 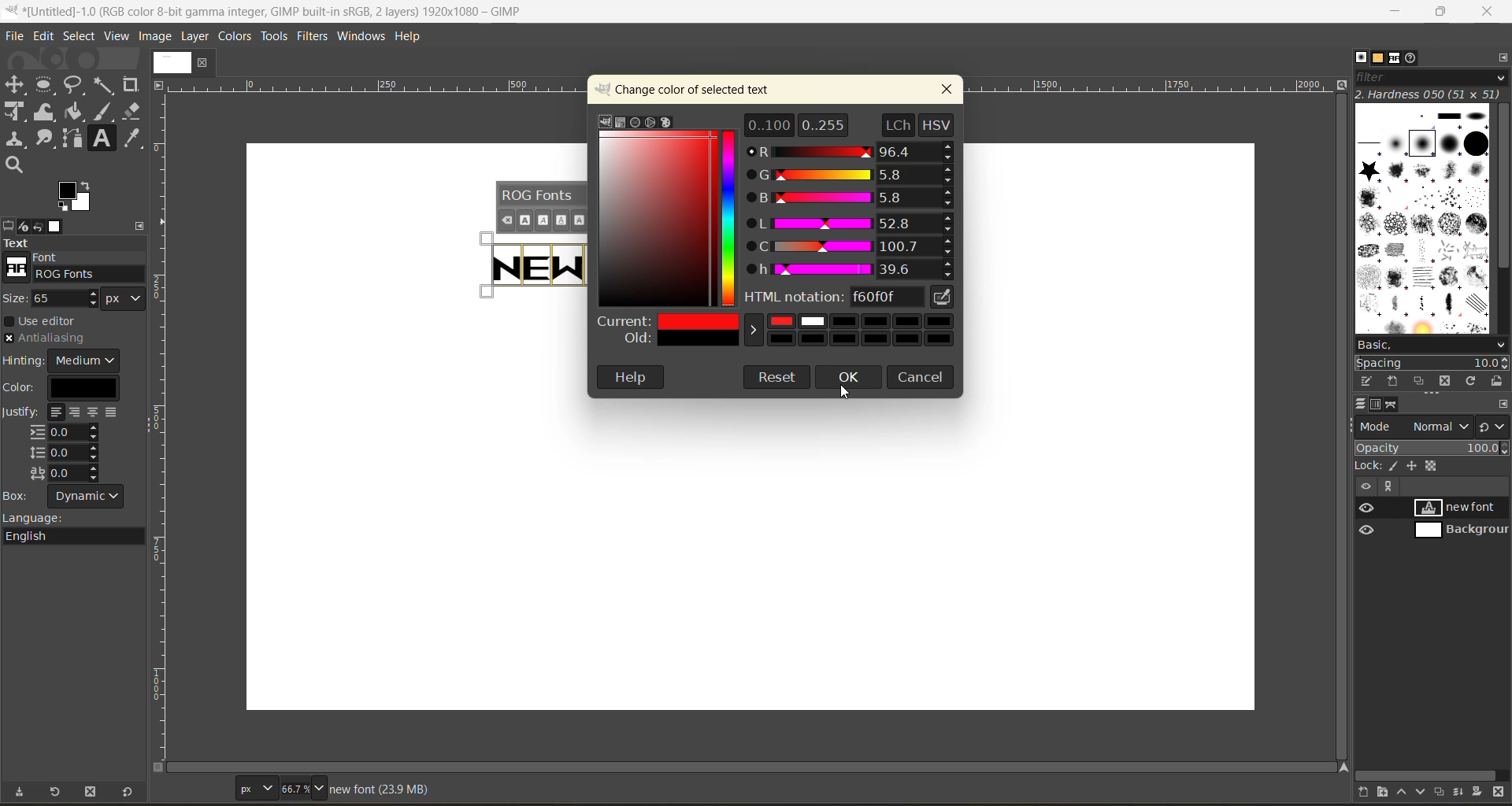 What do you see at coordinates (773, 380) in the screenshot?
I see `reset` at bounding box center [773, 380].